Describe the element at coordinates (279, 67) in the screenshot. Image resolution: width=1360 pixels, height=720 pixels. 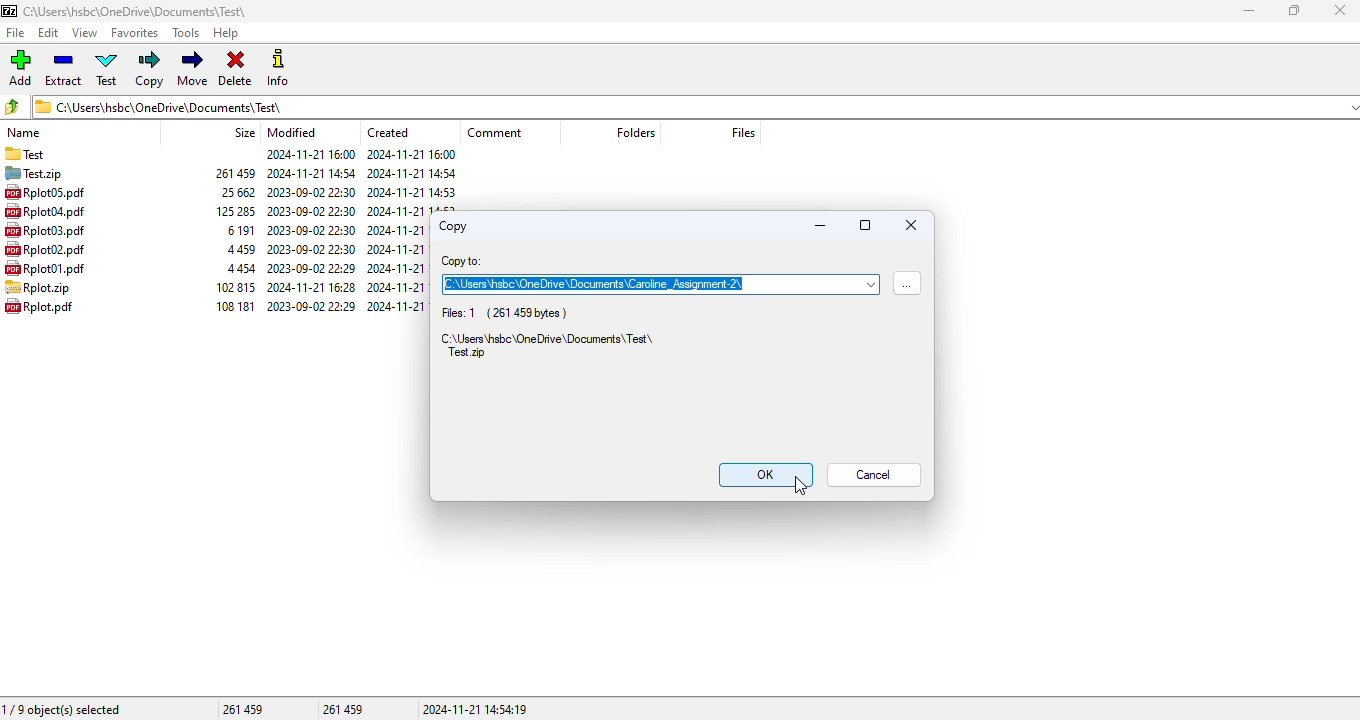
I see `info` at that location.